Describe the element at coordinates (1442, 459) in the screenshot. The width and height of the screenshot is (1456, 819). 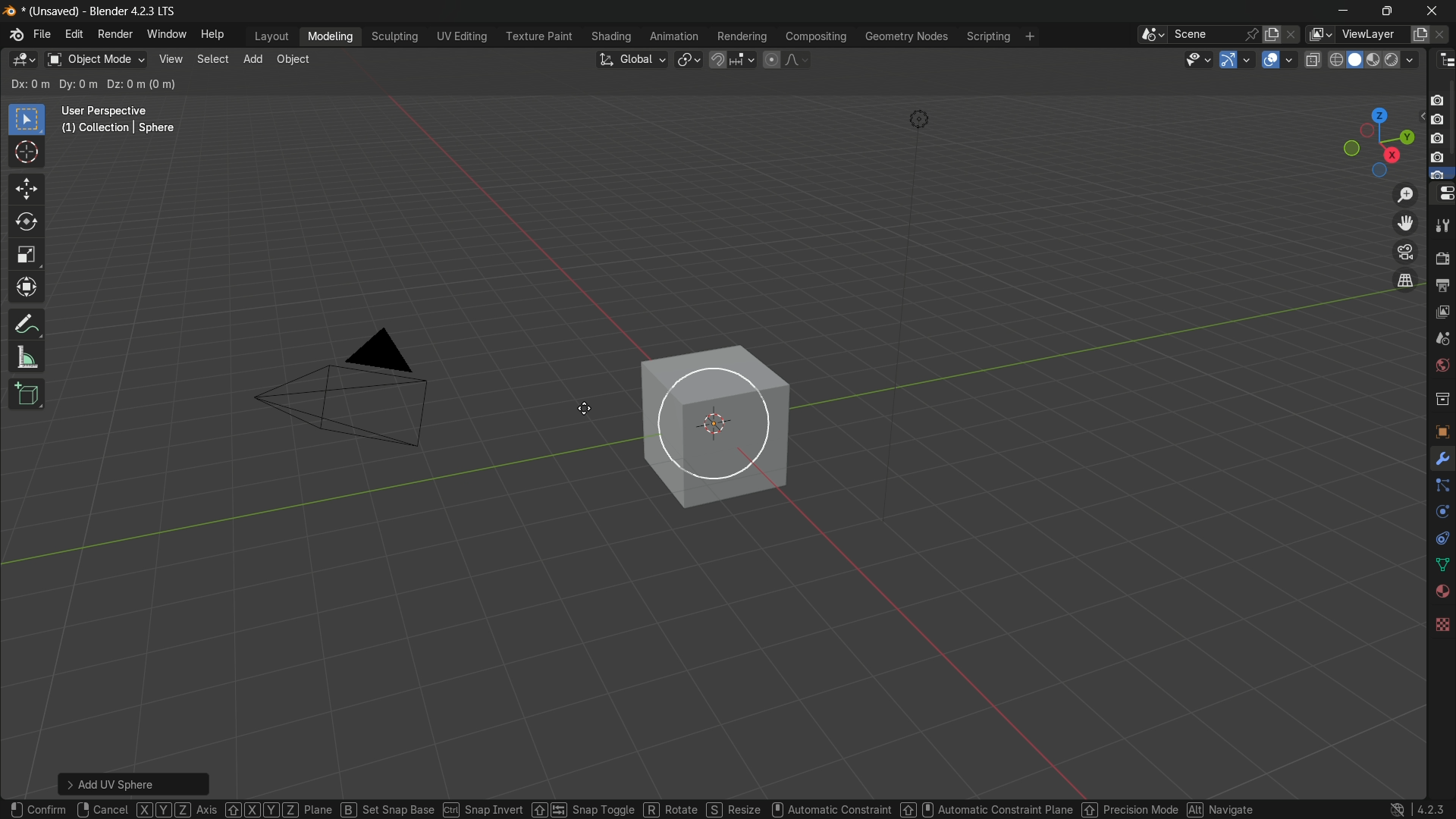
I see `Modifiers Tab` at that location.